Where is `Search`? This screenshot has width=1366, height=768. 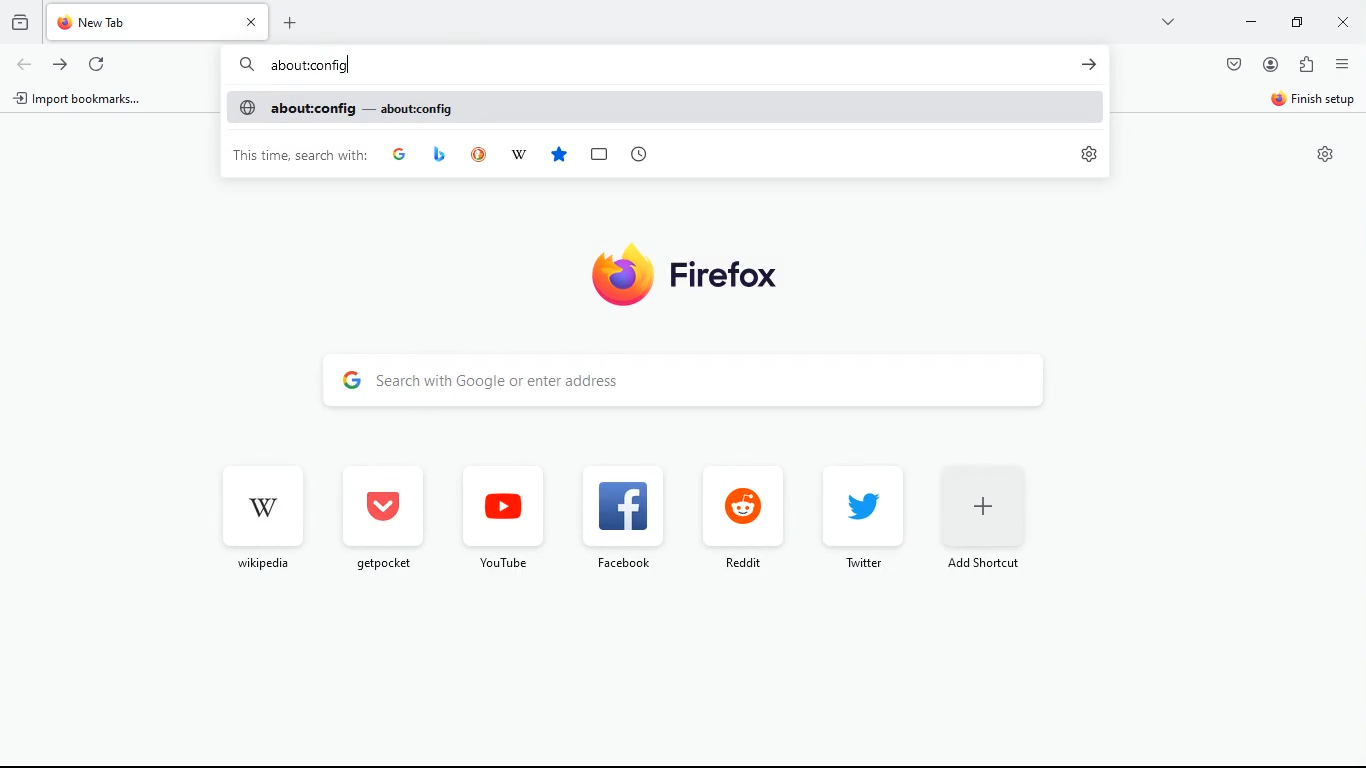 Search is located at coordinates (246, 65).